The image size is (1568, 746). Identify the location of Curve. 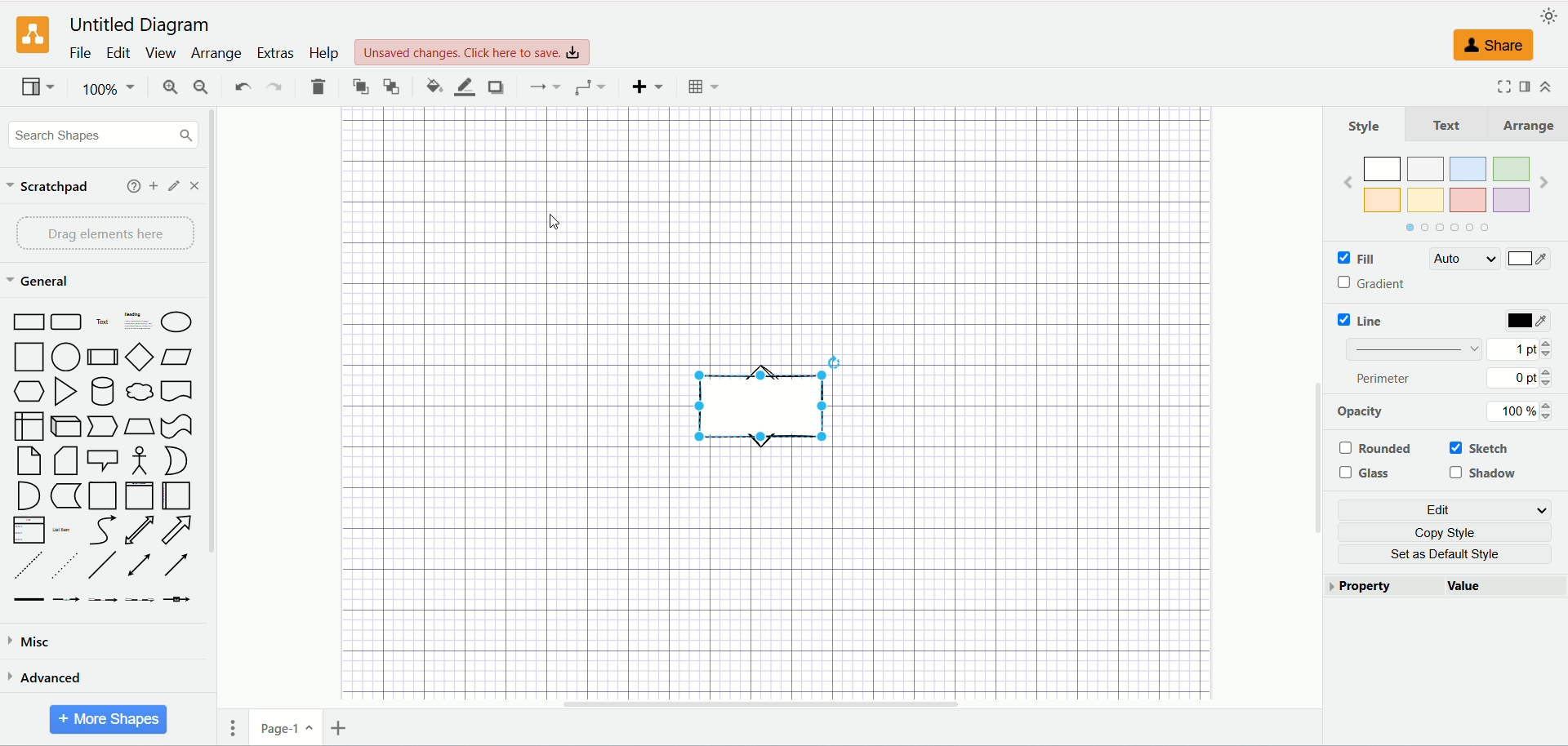
(105, 531).